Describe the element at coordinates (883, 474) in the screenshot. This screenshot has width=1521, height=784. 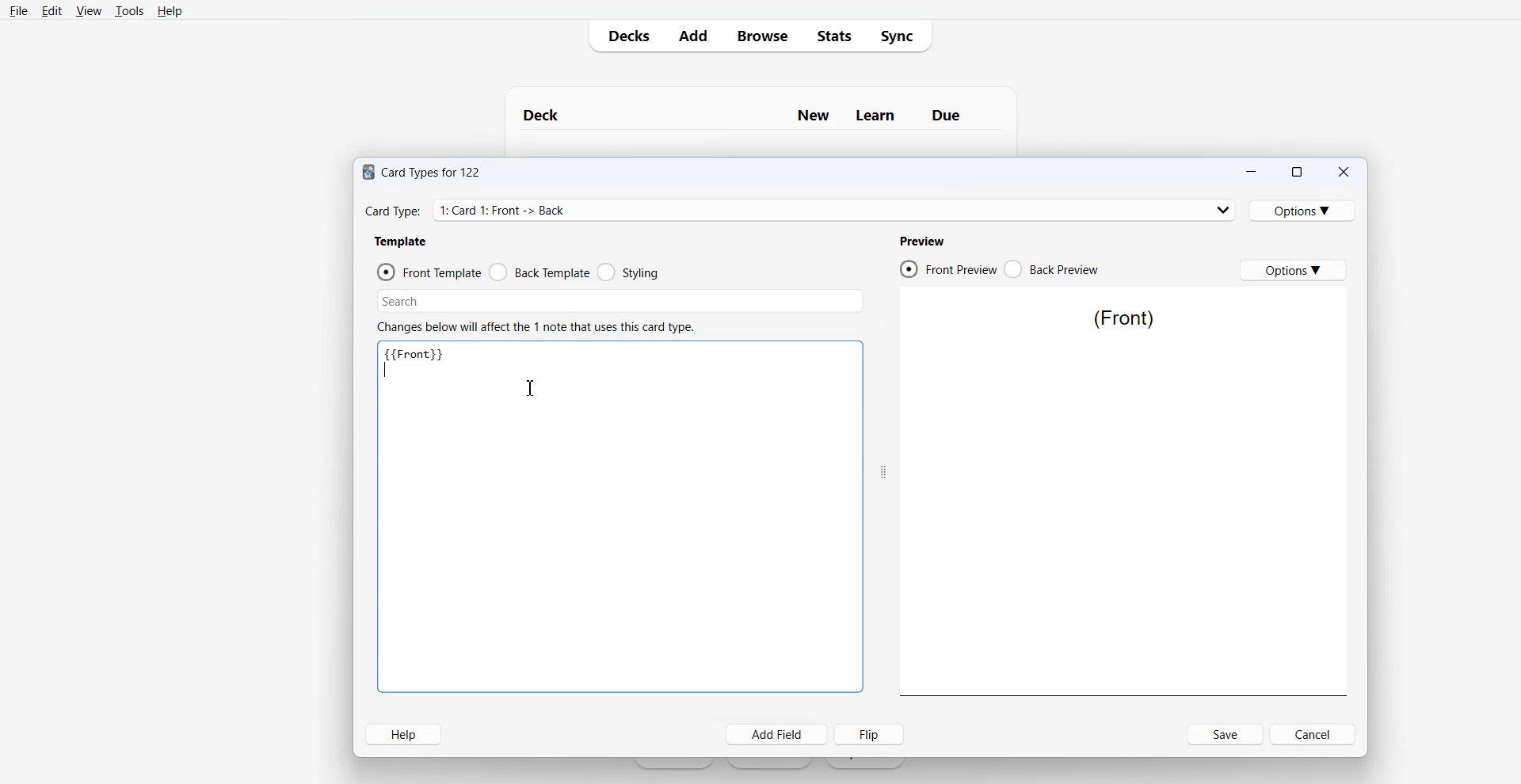
I see `Drag Handle` at that location.